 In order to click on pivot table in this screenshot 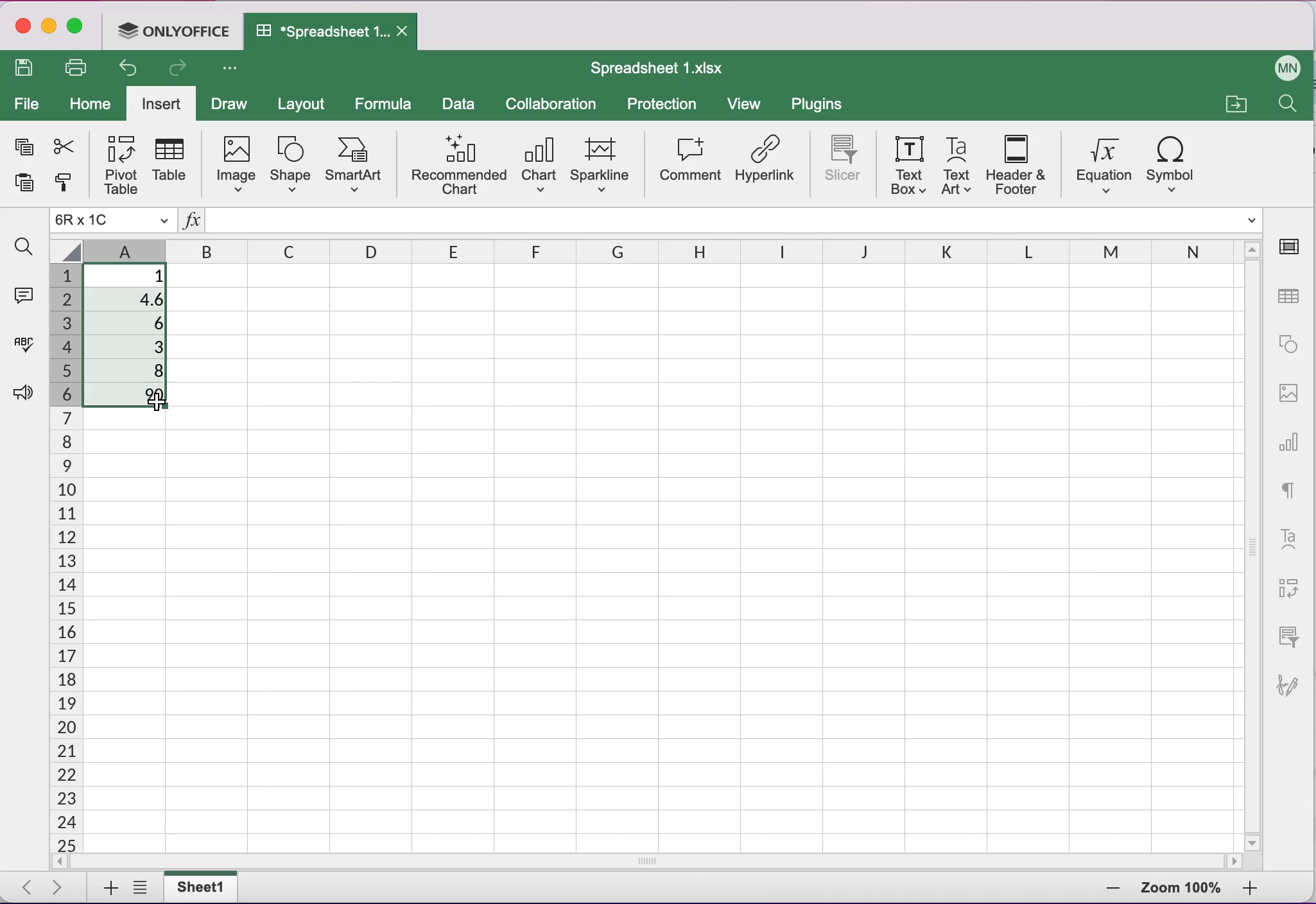, I will do `click(117, 164)`.